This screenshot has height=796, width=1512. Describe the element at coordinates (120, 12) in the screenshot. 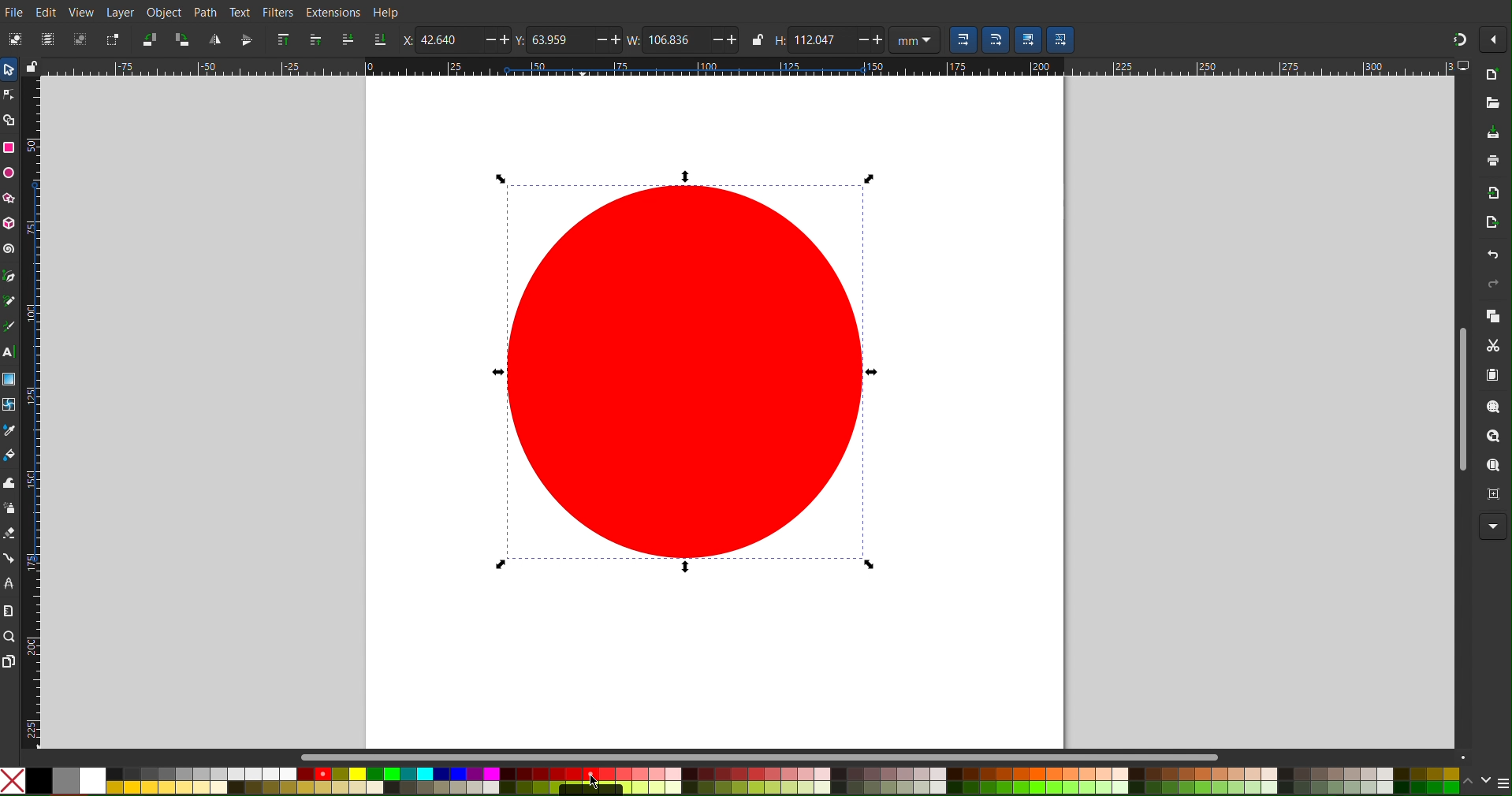

I see `Layer` at that location.